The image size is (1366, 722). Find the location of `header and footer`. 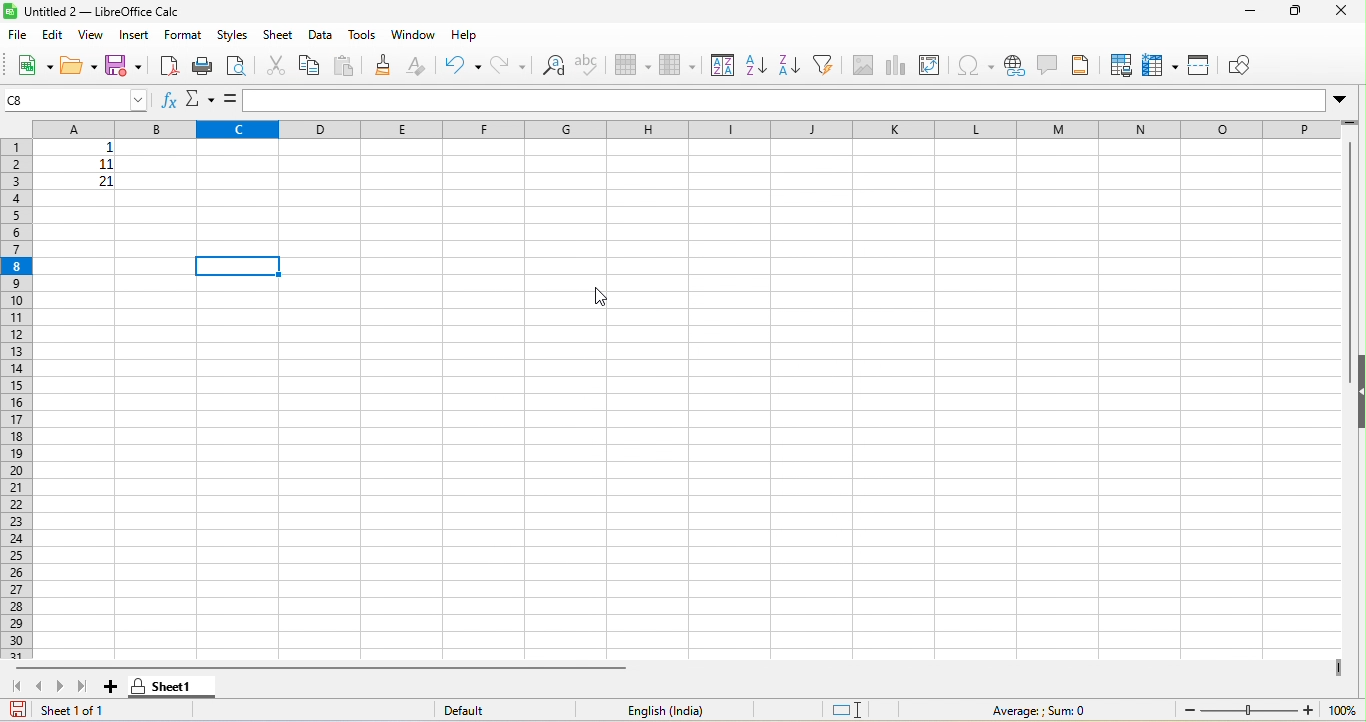

header and footer is located at coordinates (1095, 65).